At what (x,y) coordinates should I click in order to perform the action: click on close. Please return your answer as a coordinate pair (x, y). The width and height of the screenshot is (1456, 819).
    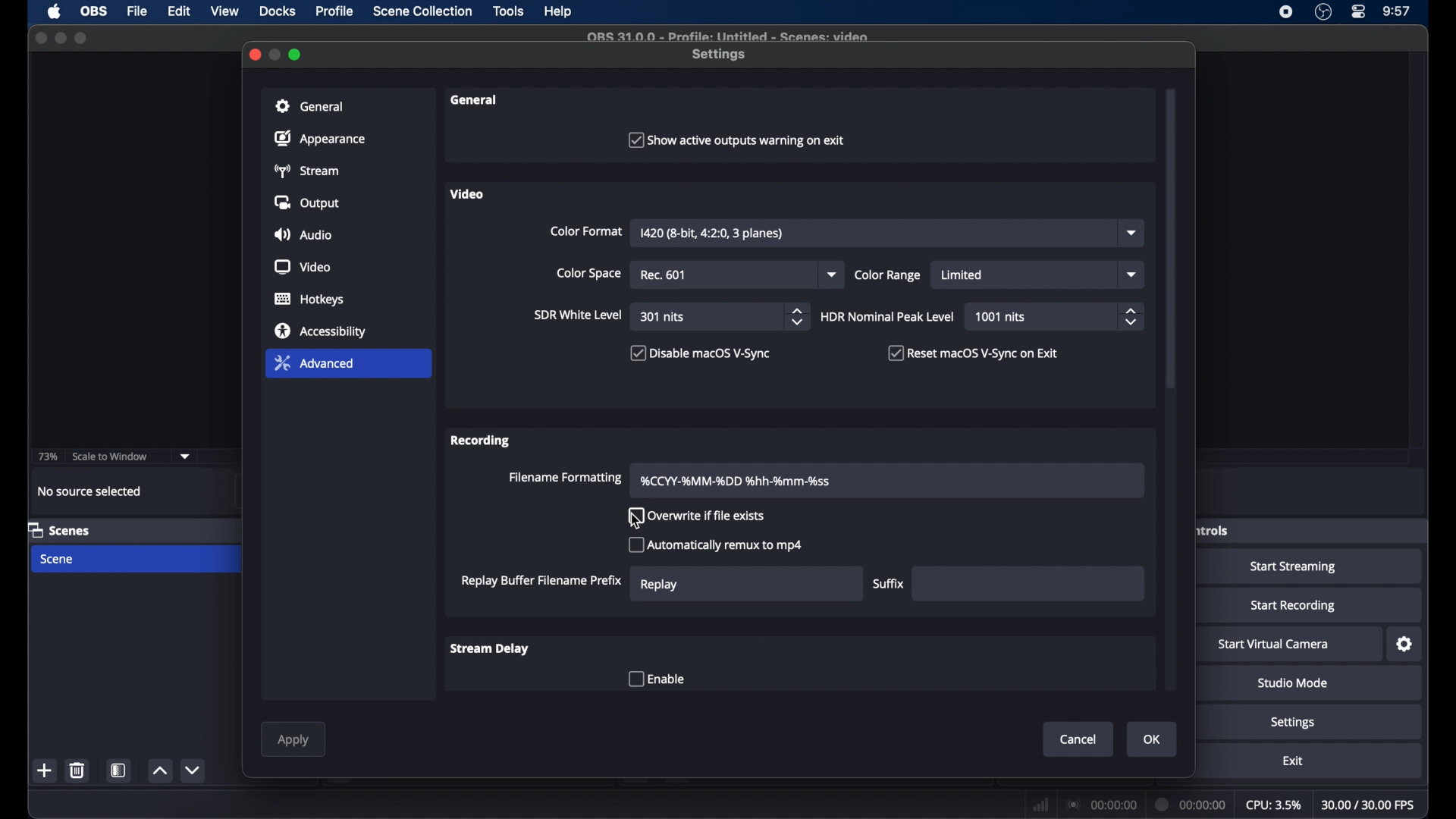
    Looking at the image, I should click on (254, 55).